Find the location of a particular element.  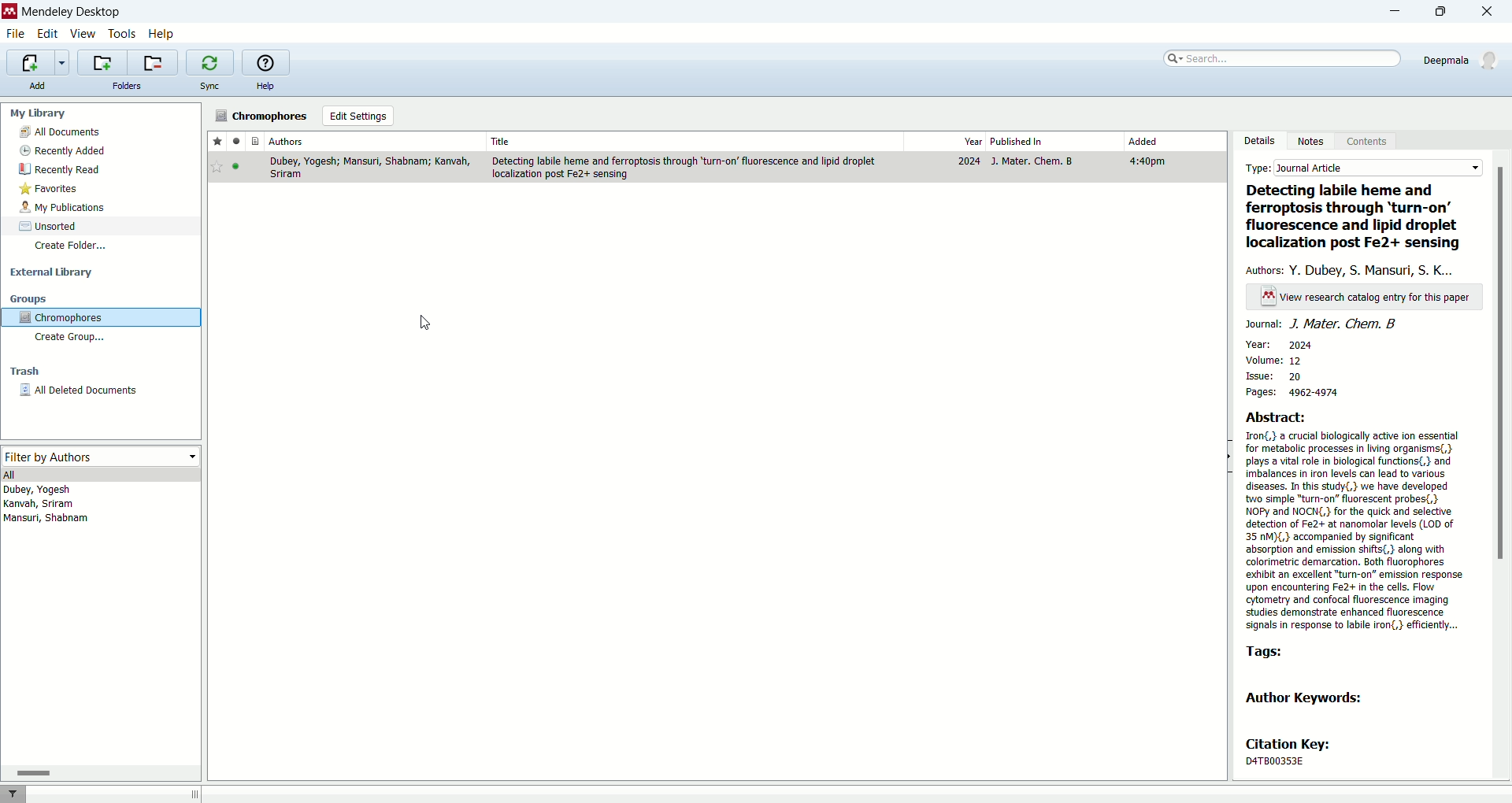

content is located at coordinates (1367, 143).